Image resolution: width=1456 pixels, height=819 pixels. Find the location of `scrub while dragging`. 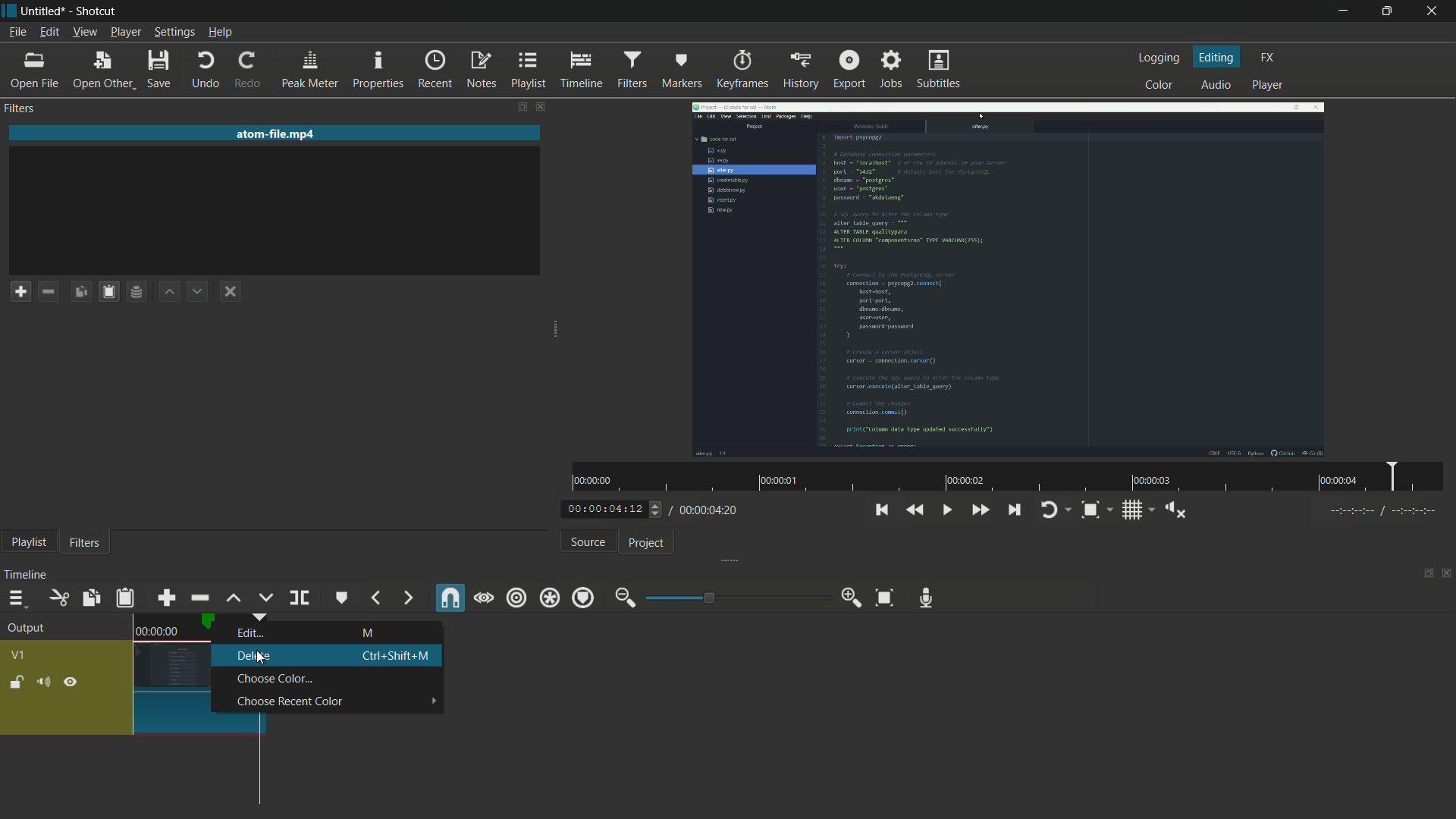

scrub while dragging is located at coordinates (485, 598).